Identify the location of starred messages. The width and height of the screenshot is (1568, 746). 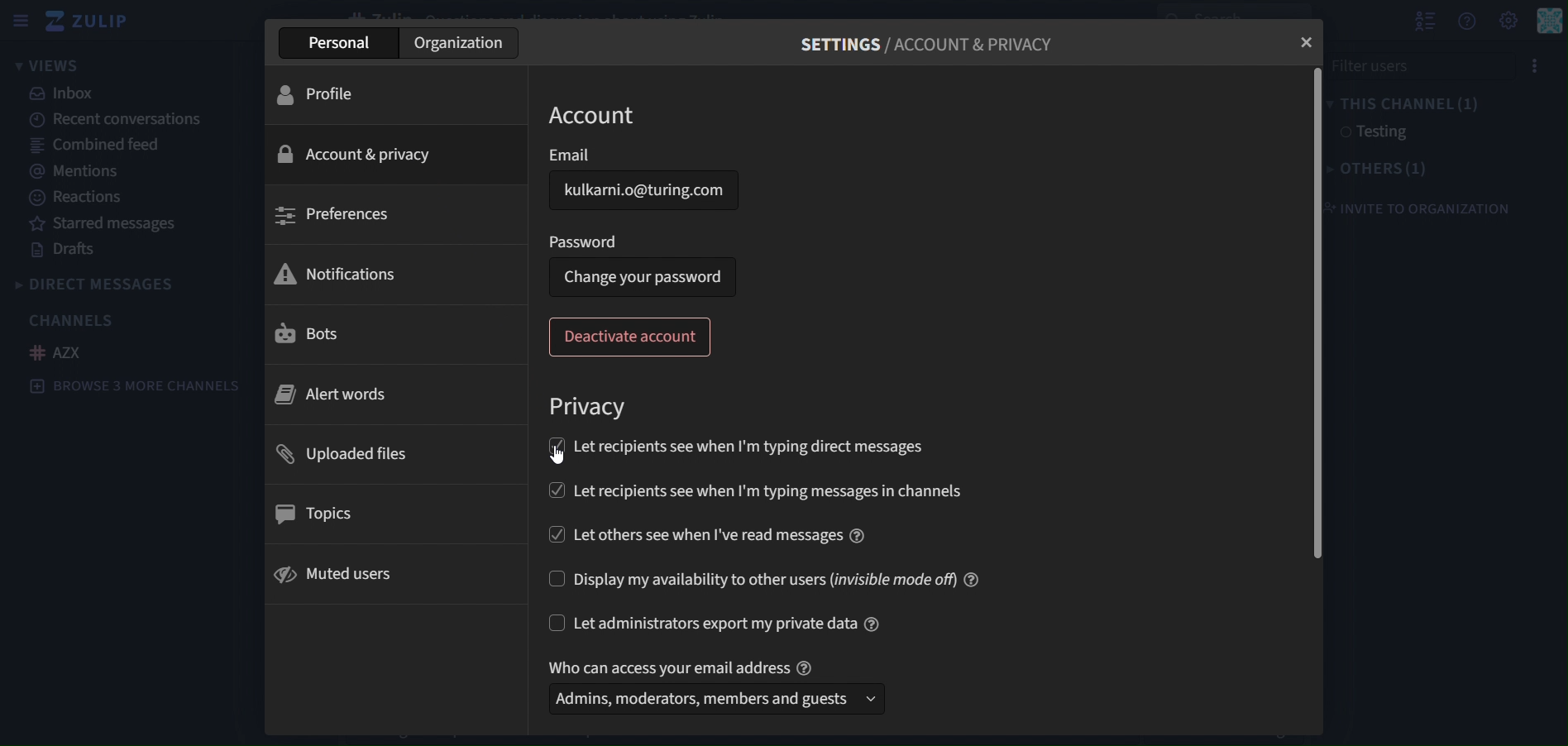
(122, 224).